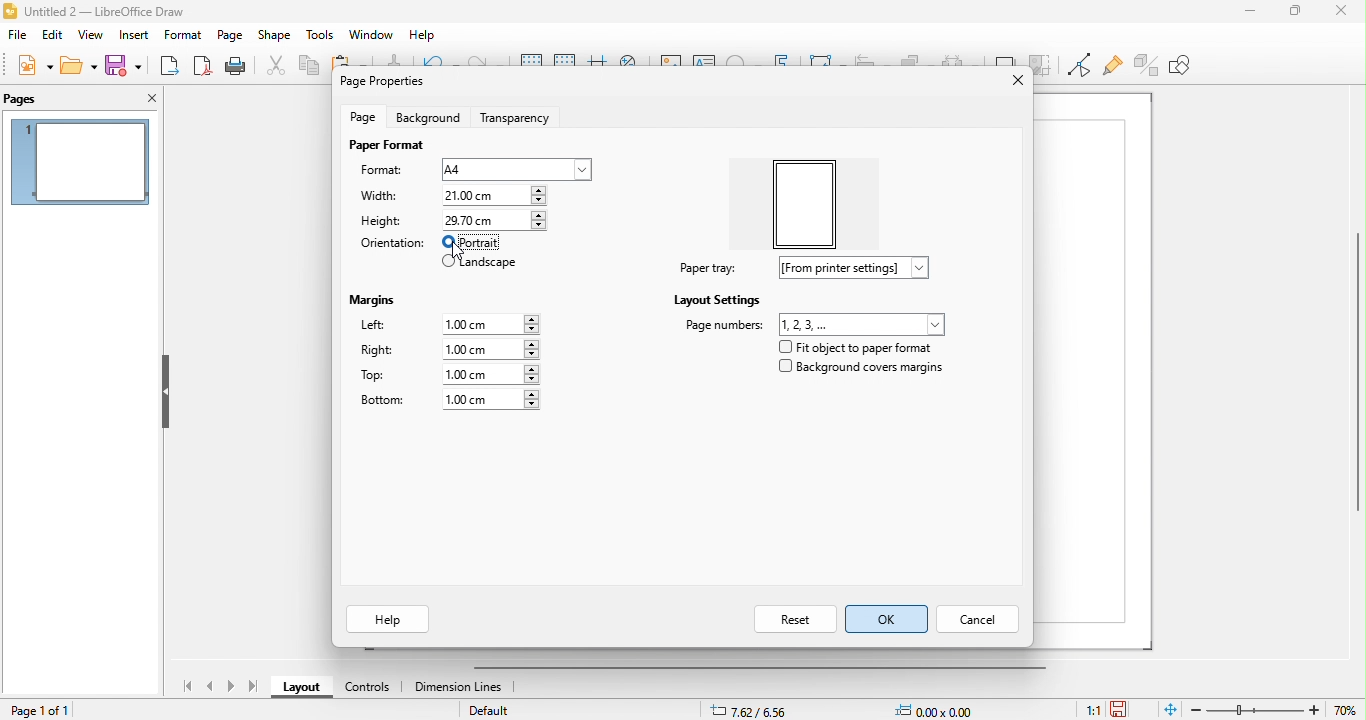 Image resolution: width=1366 pixels, height=720 pixels. Describe the element at coordinates (125, 65) in the screenshot. I see `save` at that location.